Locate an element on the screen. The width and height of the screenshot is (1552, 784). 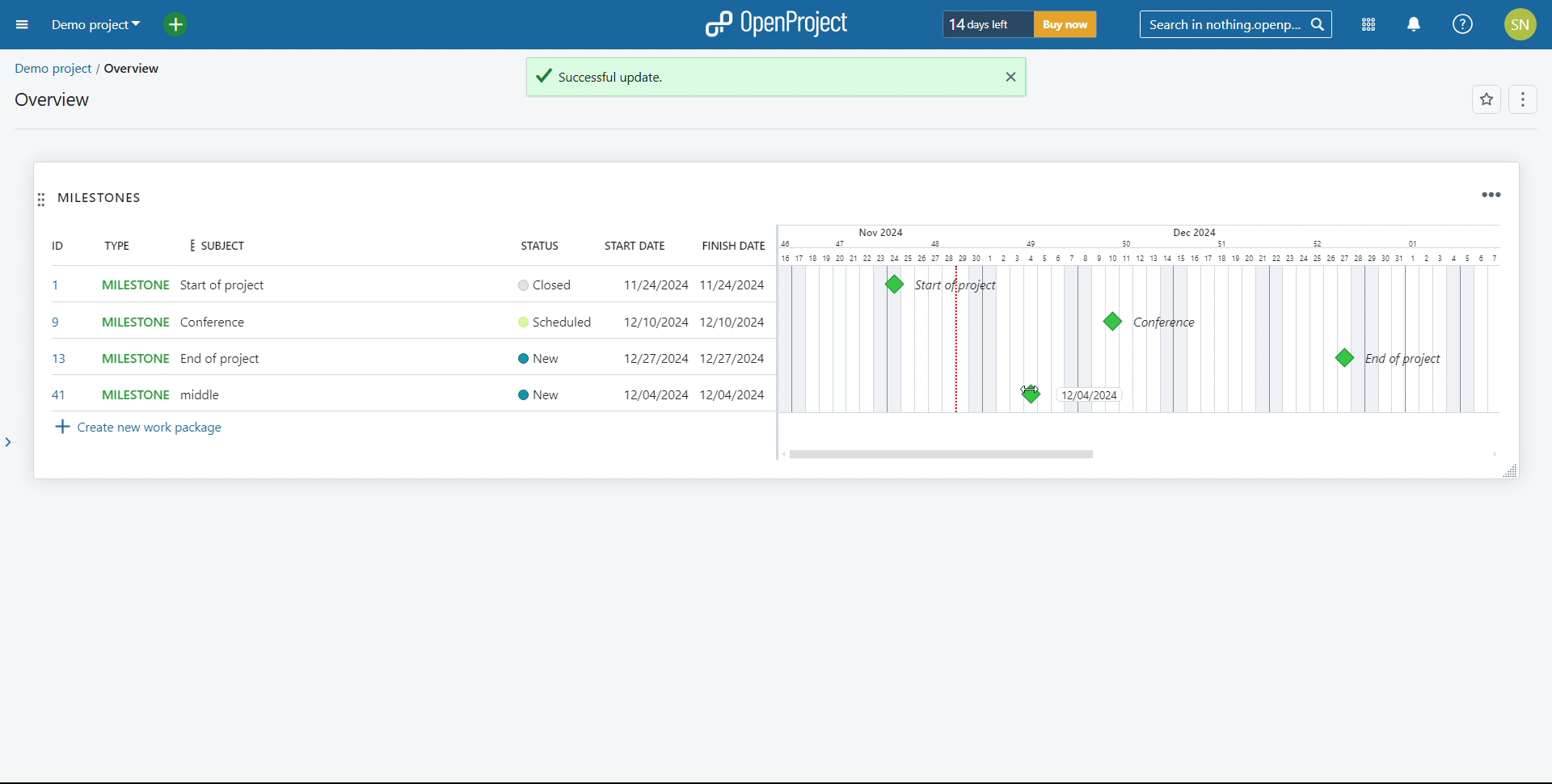
scrollbar is located at coordinates (943, 454).